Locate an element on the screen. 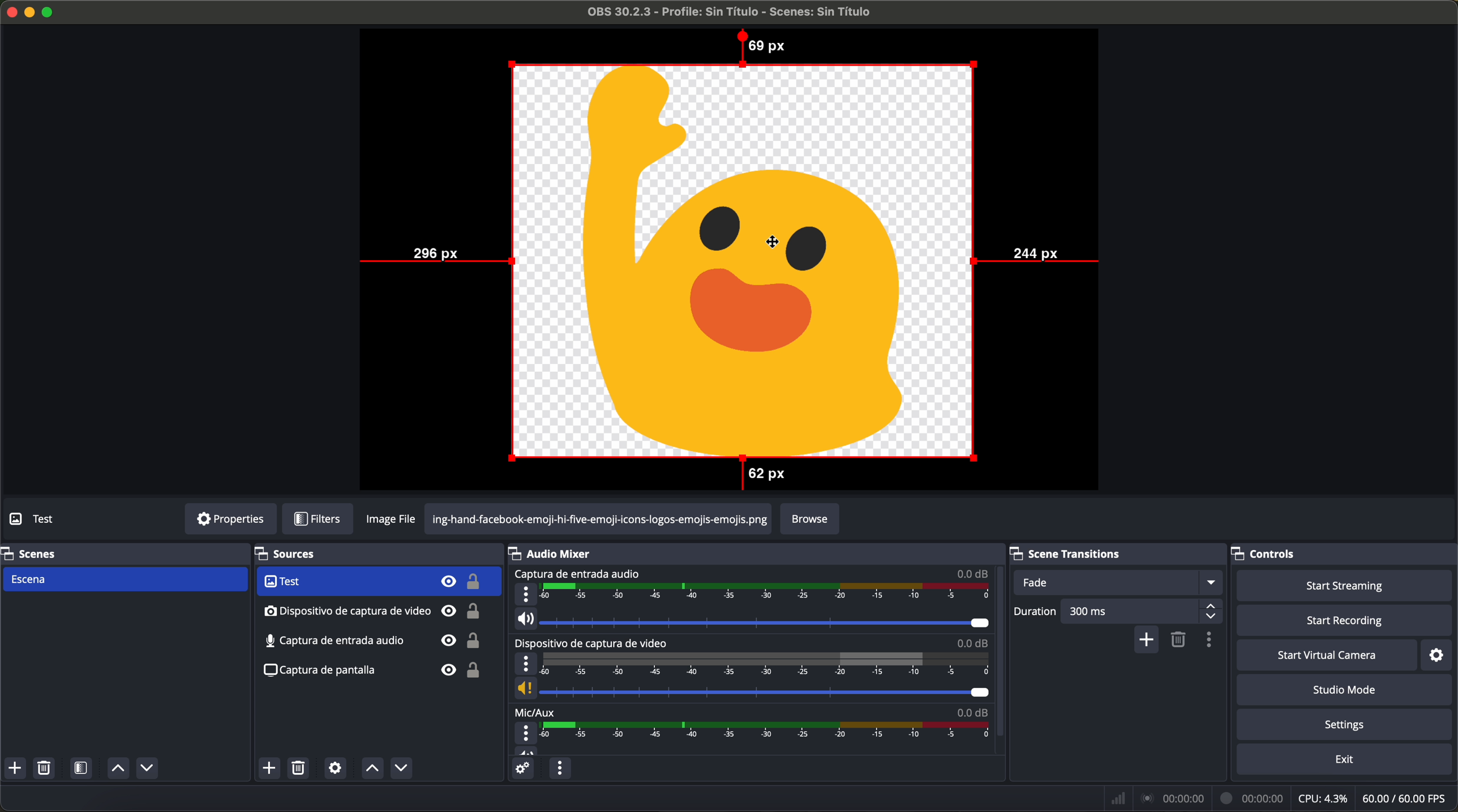 This screenshot has width=1458, height=812. no source selected is located at coordinates (59, 518).